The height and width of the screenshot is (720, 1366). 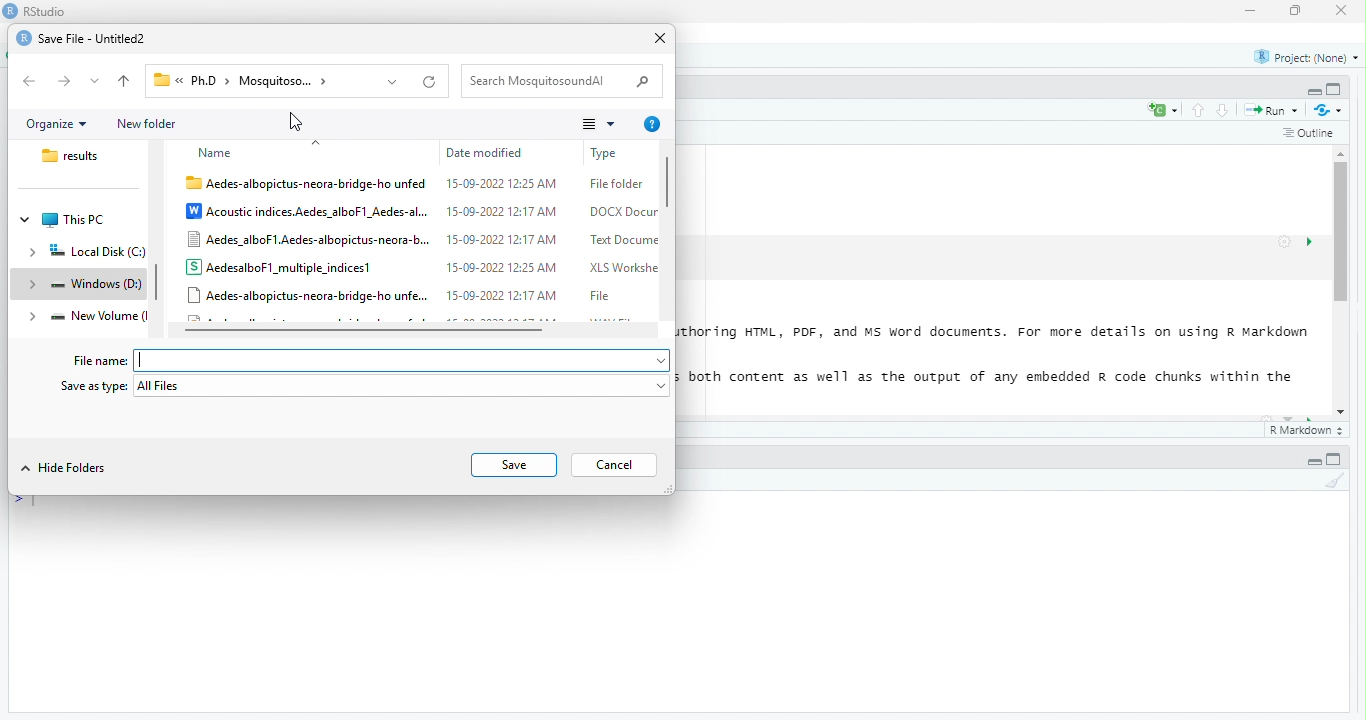 What do you see at coordinates (95, 284) in the screenshot?
I see `Windows (D:)` at bounding box center [95, 284].